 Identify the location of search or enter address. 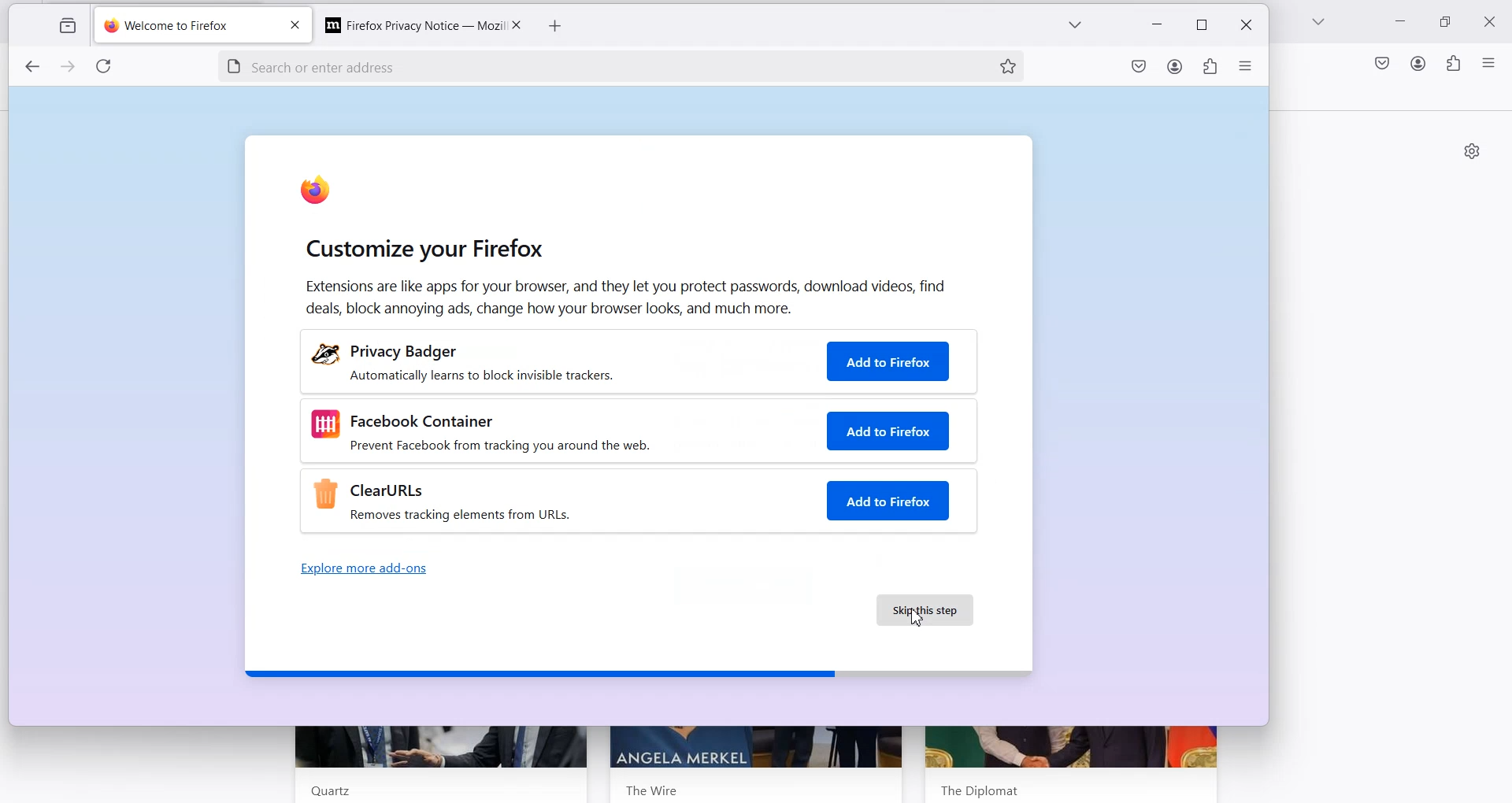
(580, 65).